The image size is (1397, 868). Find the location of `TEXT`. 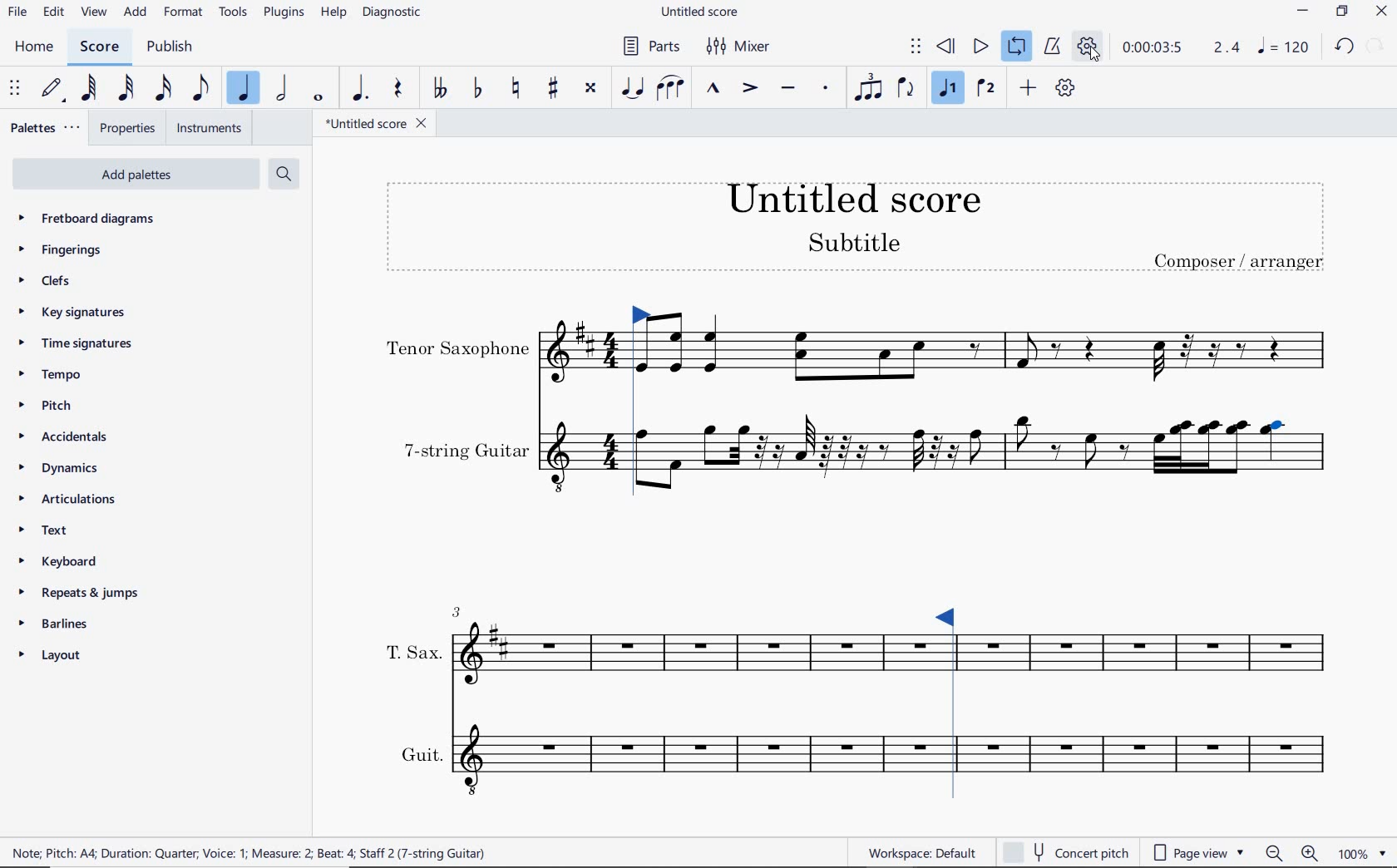

TEXT is located at coordinates (39, 529).